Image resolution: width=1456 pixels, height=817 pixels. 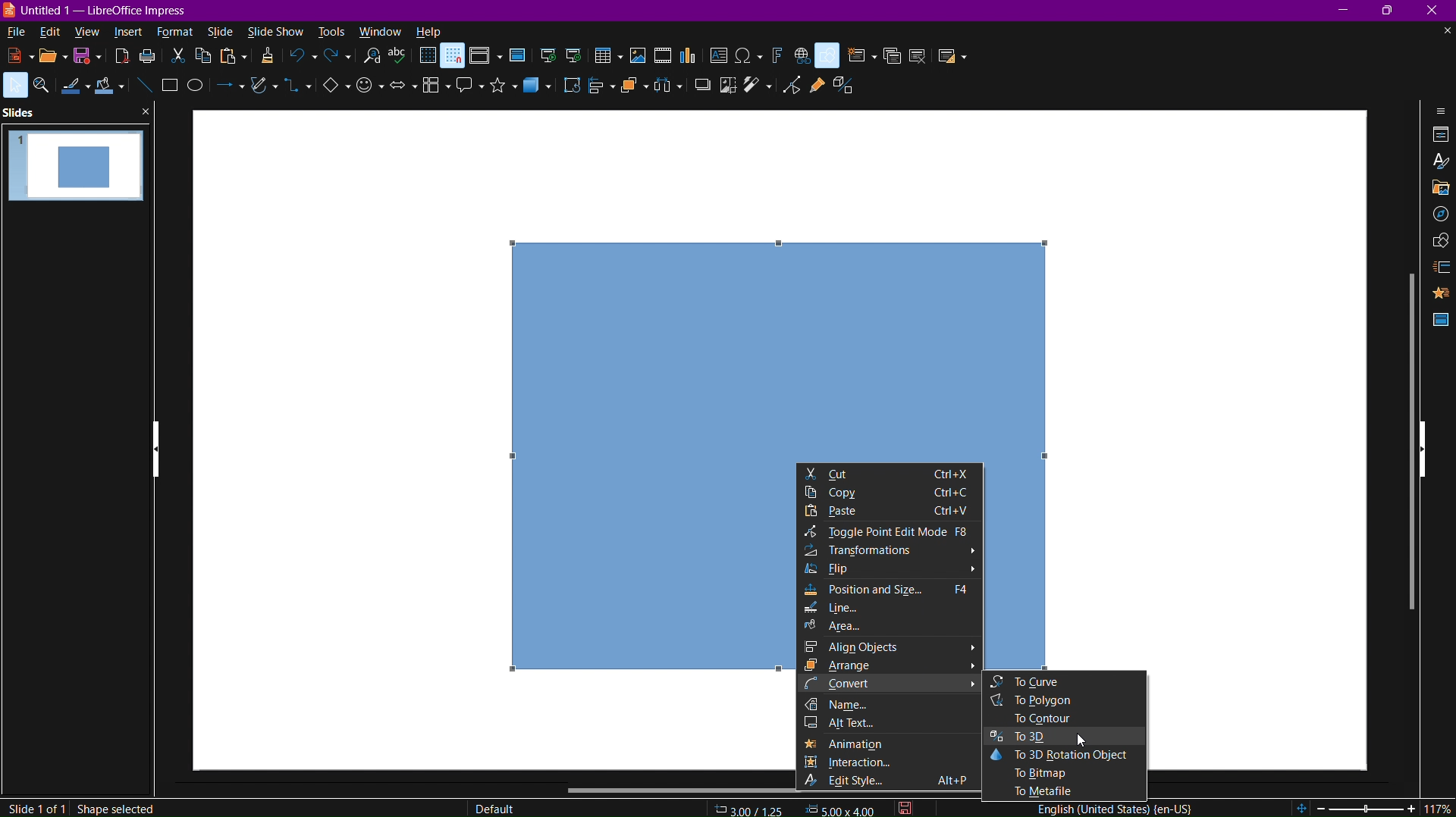 What do you see at coordinates (1068, 758) in the screenshot?
I see `To 3D Rotation Object` at bounding box center [1068, 758].